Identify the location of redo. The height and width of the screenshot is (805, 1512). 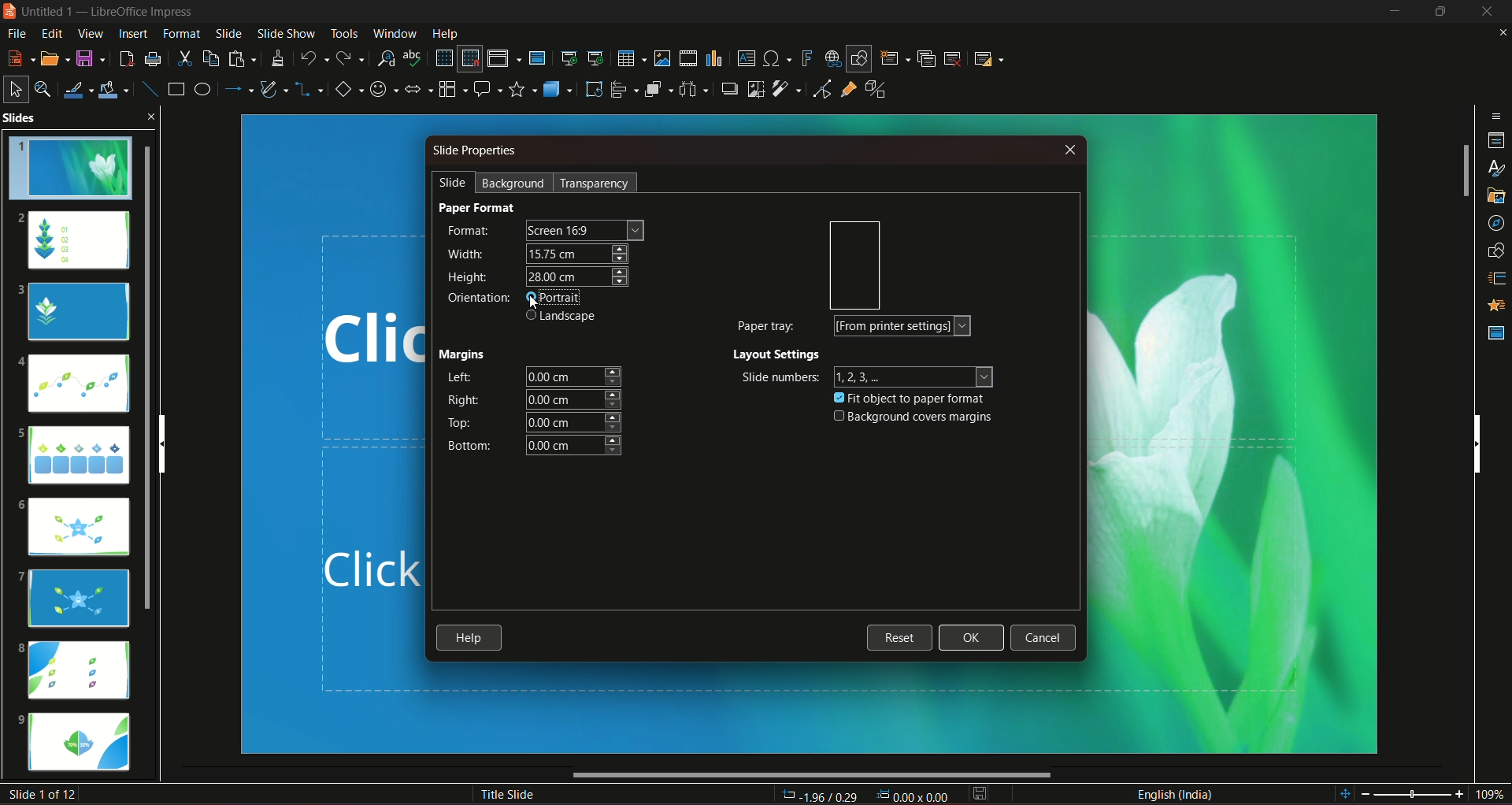
(352, 57).